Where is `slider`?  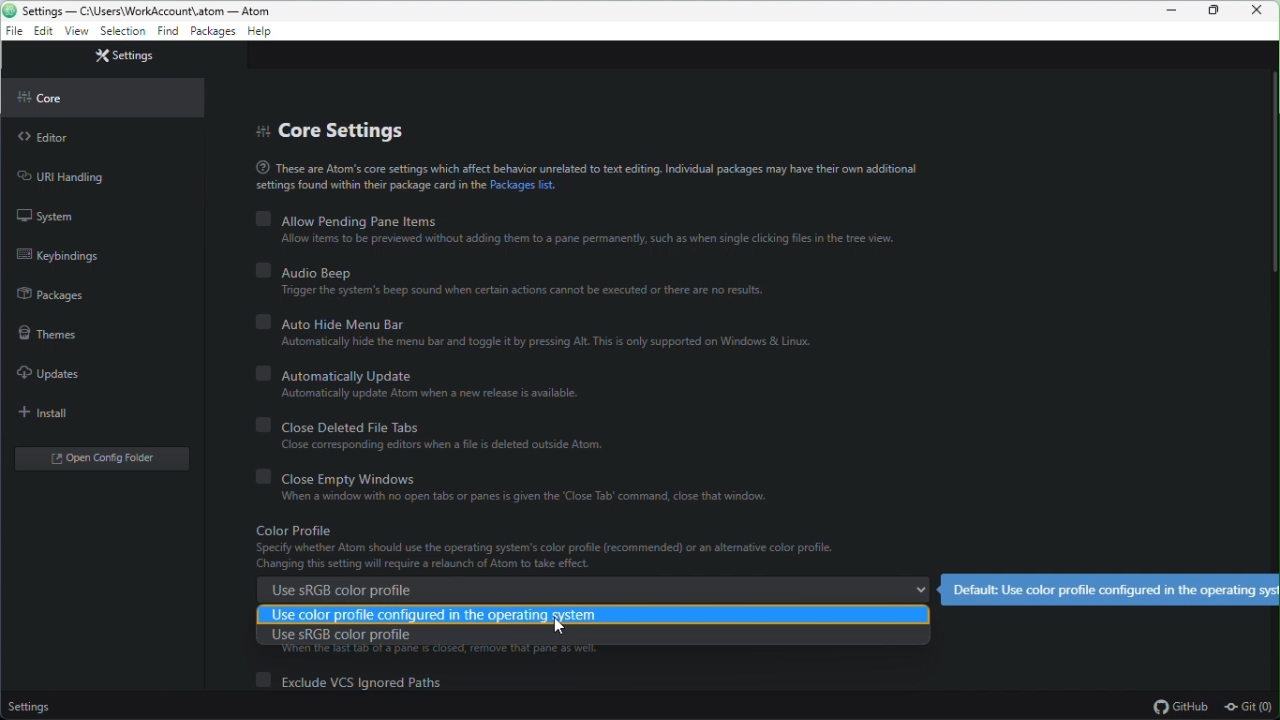
slider is located at coordinates (1270, 280).